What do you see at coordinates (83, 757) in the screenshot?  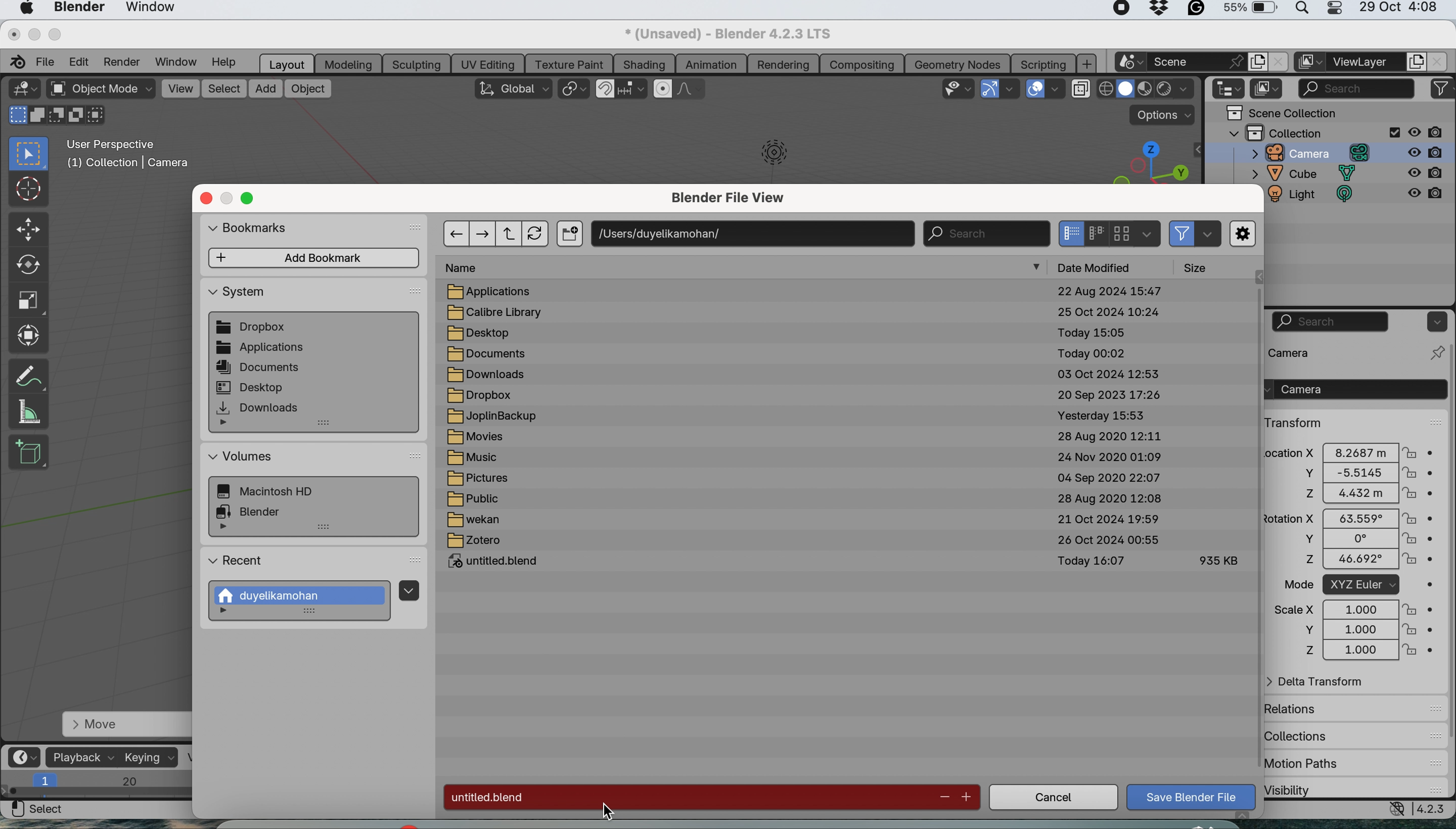 I see `playback` at bounding box center [83, 757].